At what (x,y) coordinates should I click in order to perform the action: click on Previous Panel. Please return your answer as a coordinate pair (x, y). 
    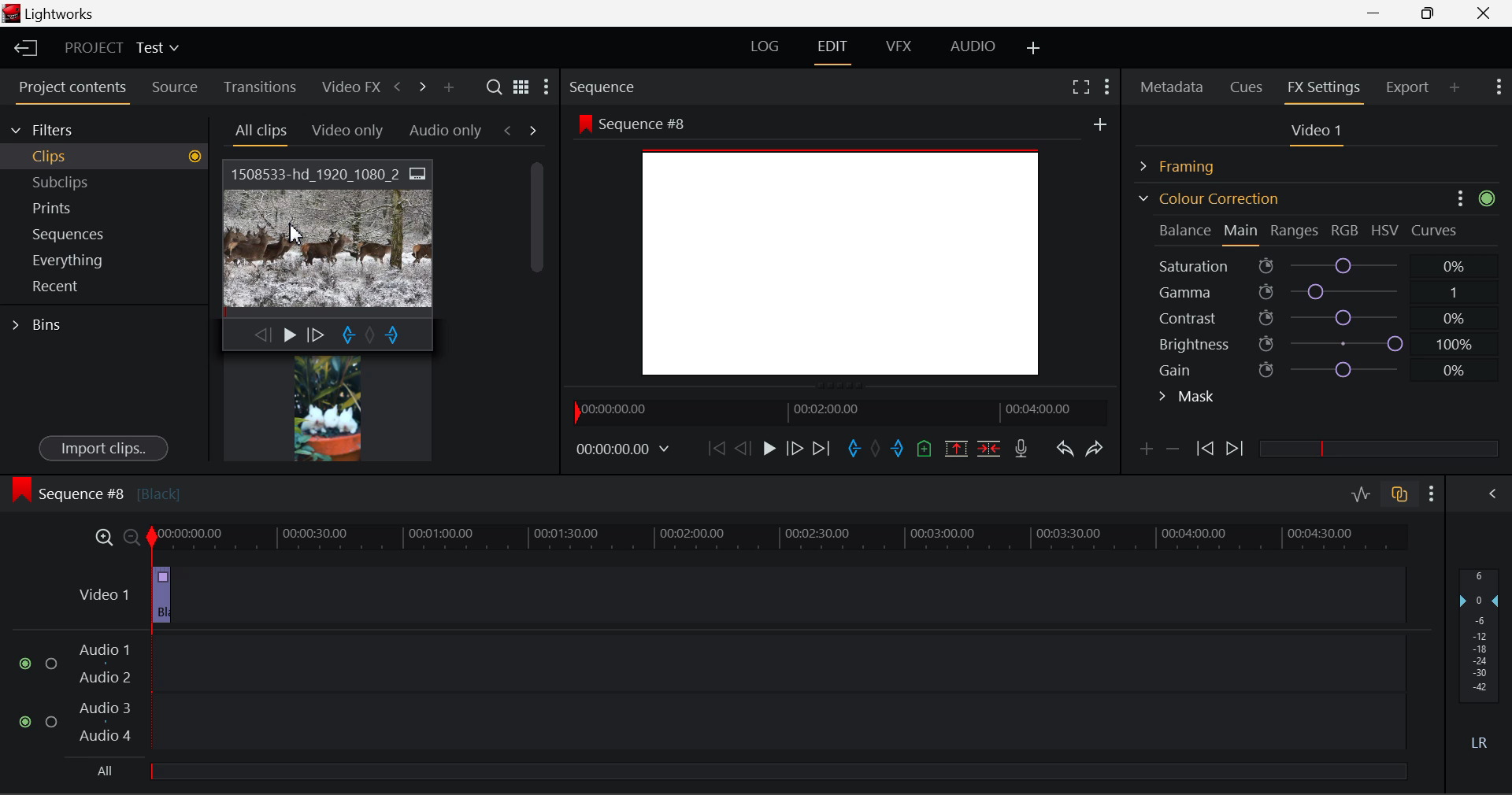
    Looking at the image, I should click on (397, 87).